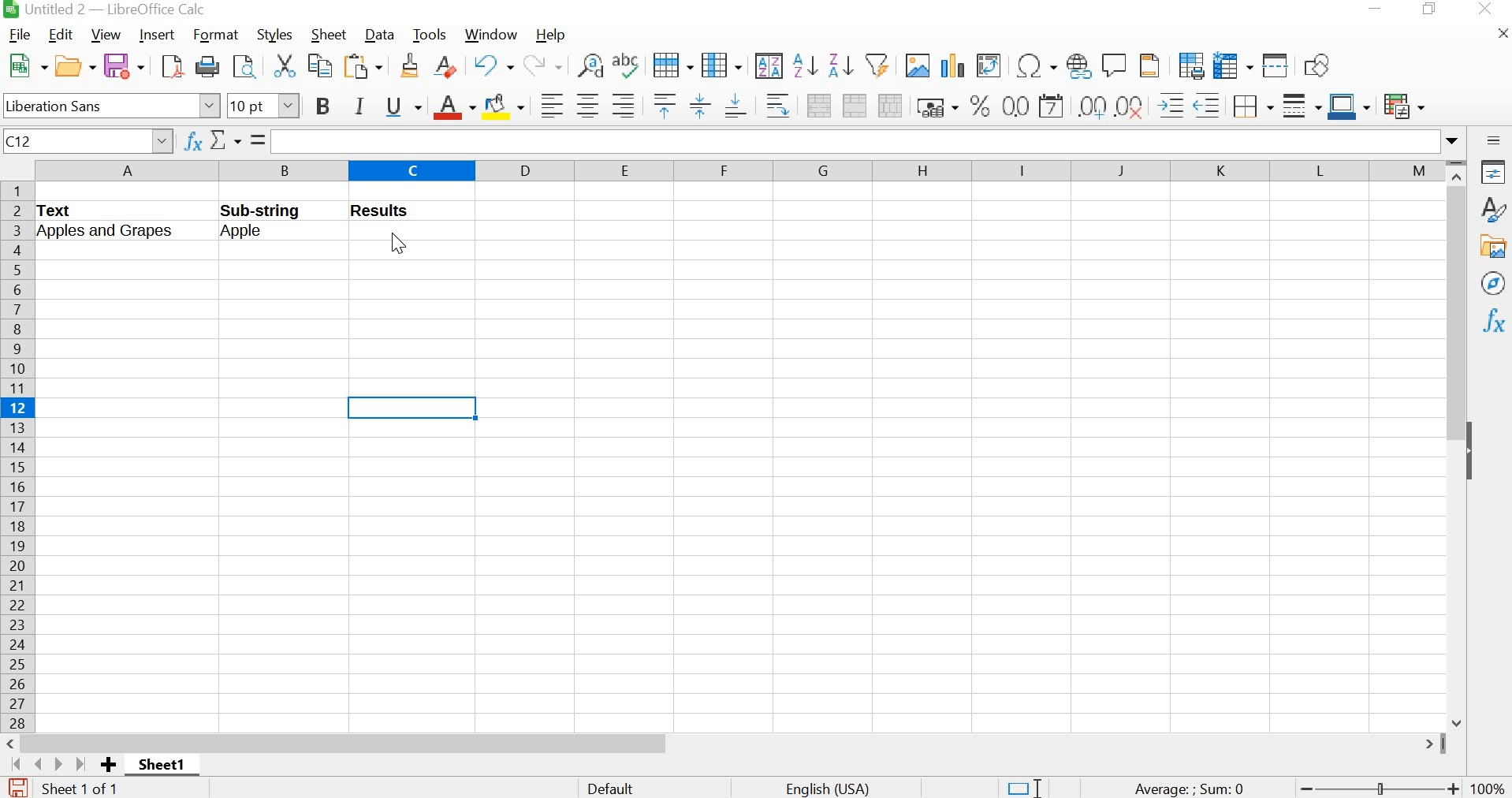 The image size is (1512, 798). I want to click on sort, so click(768, 65).